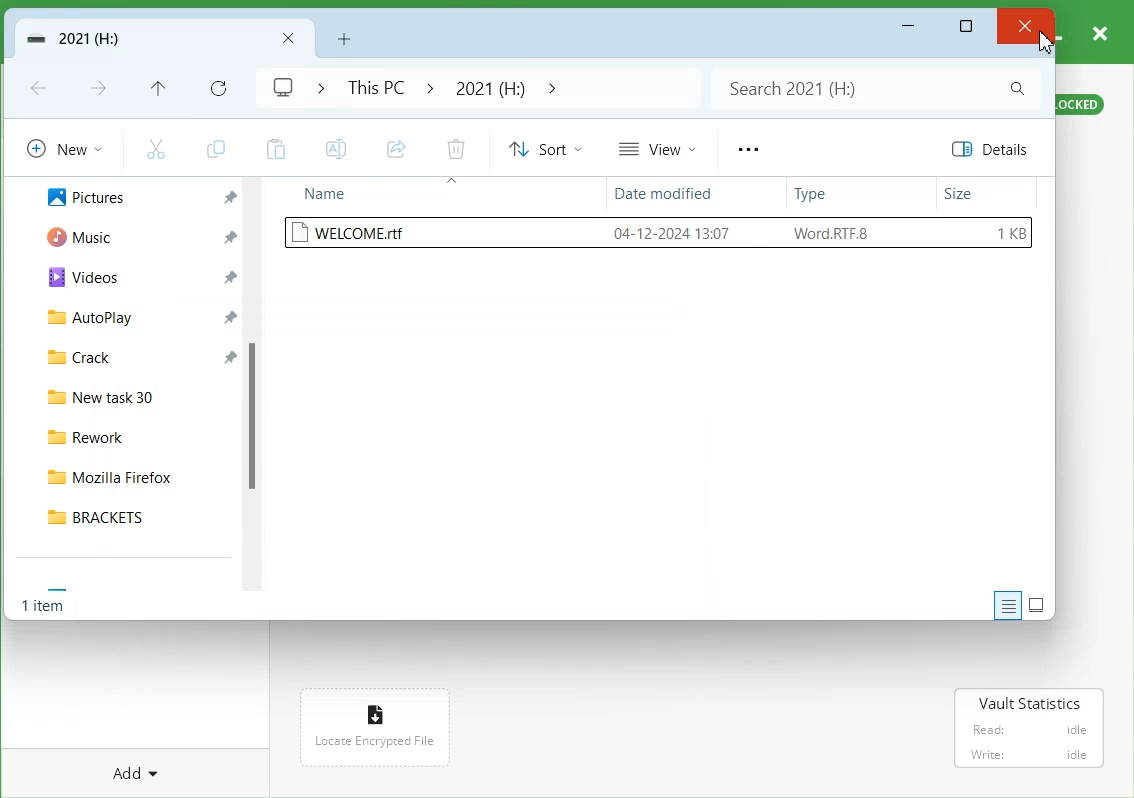 Image resolution: width=1134 pixels, height=798 pixels. Describe the element at coordinates (155, 147) in the screenshot. I see `Cut` at that location.